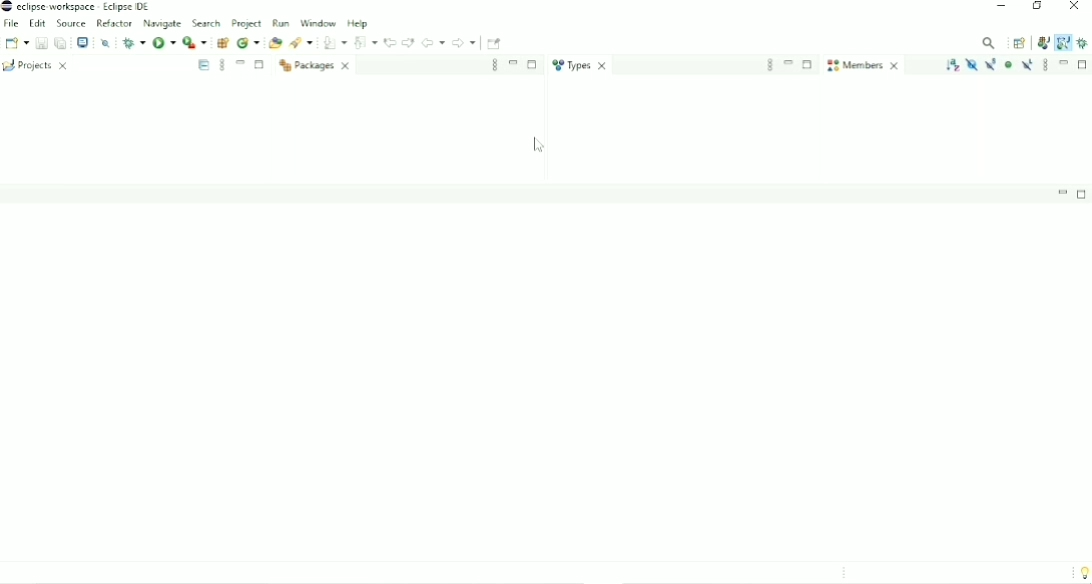 Image resolution: width=1092 pixels, height=584 pixels. I want to click on Run last tool, so click(222, 41).